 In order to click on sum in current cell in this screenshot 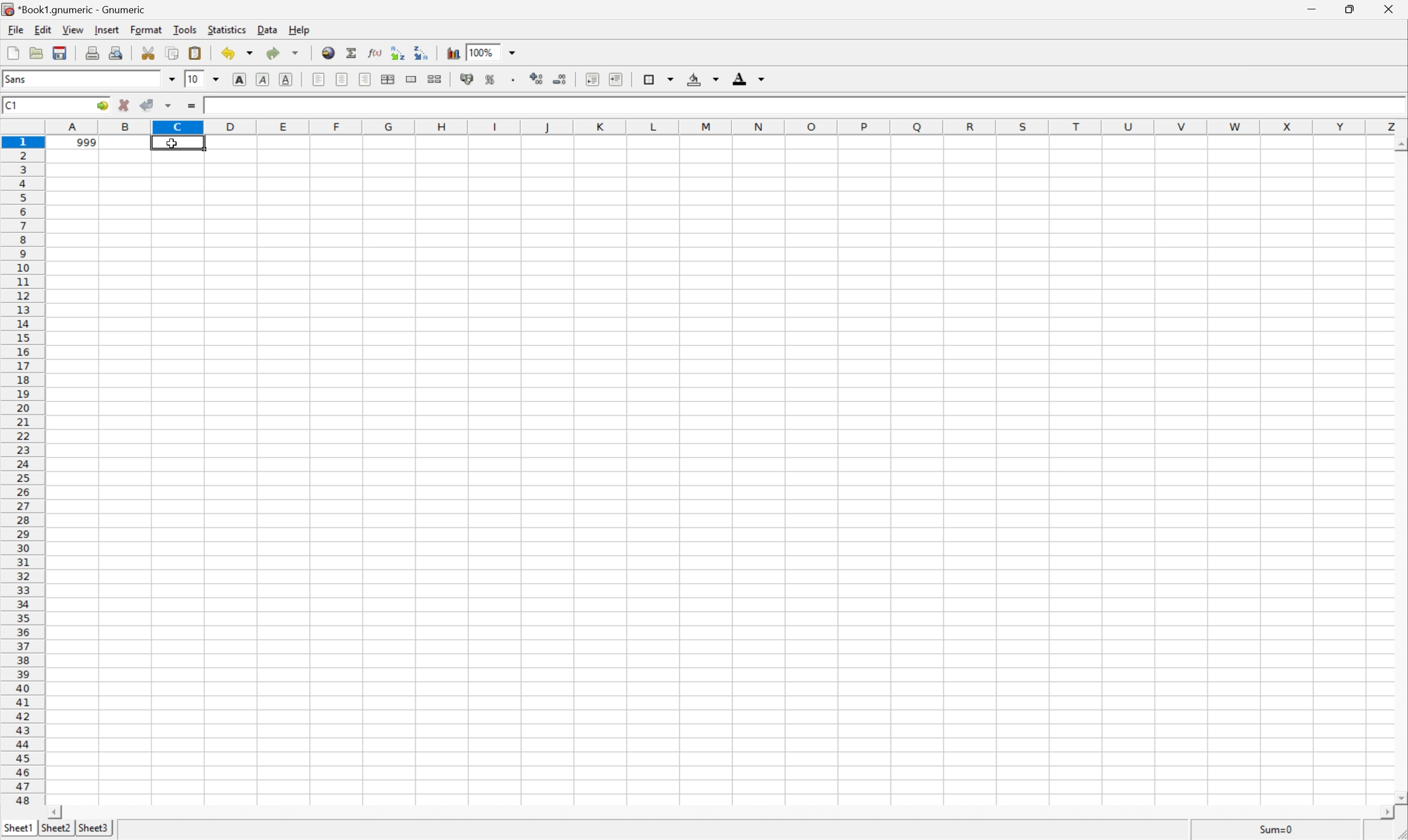, I will do `click(353, 53)`.